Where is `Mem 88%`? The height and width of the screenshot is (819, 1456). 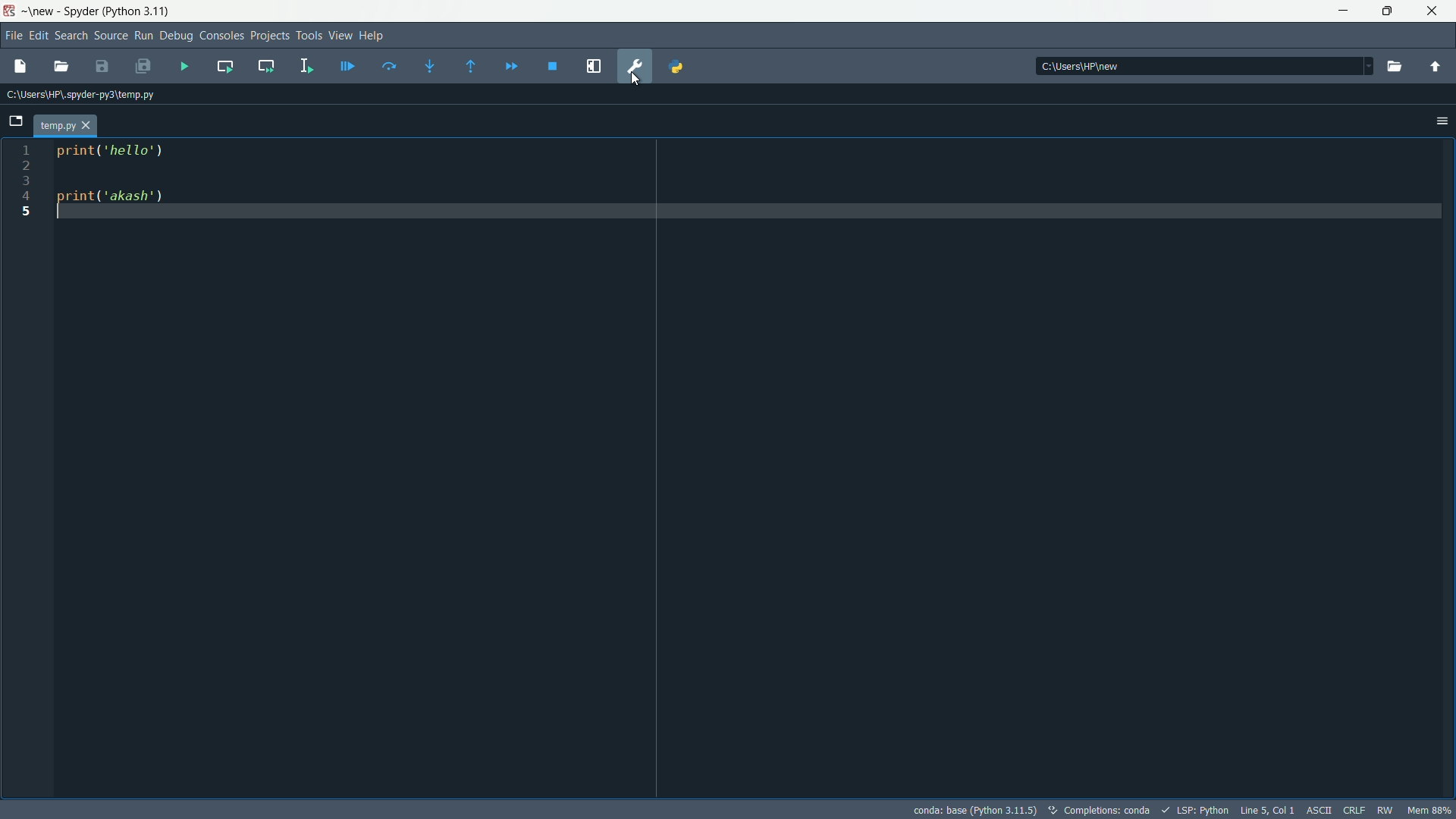 Mem 88% is located at coordinates (1430, 810).